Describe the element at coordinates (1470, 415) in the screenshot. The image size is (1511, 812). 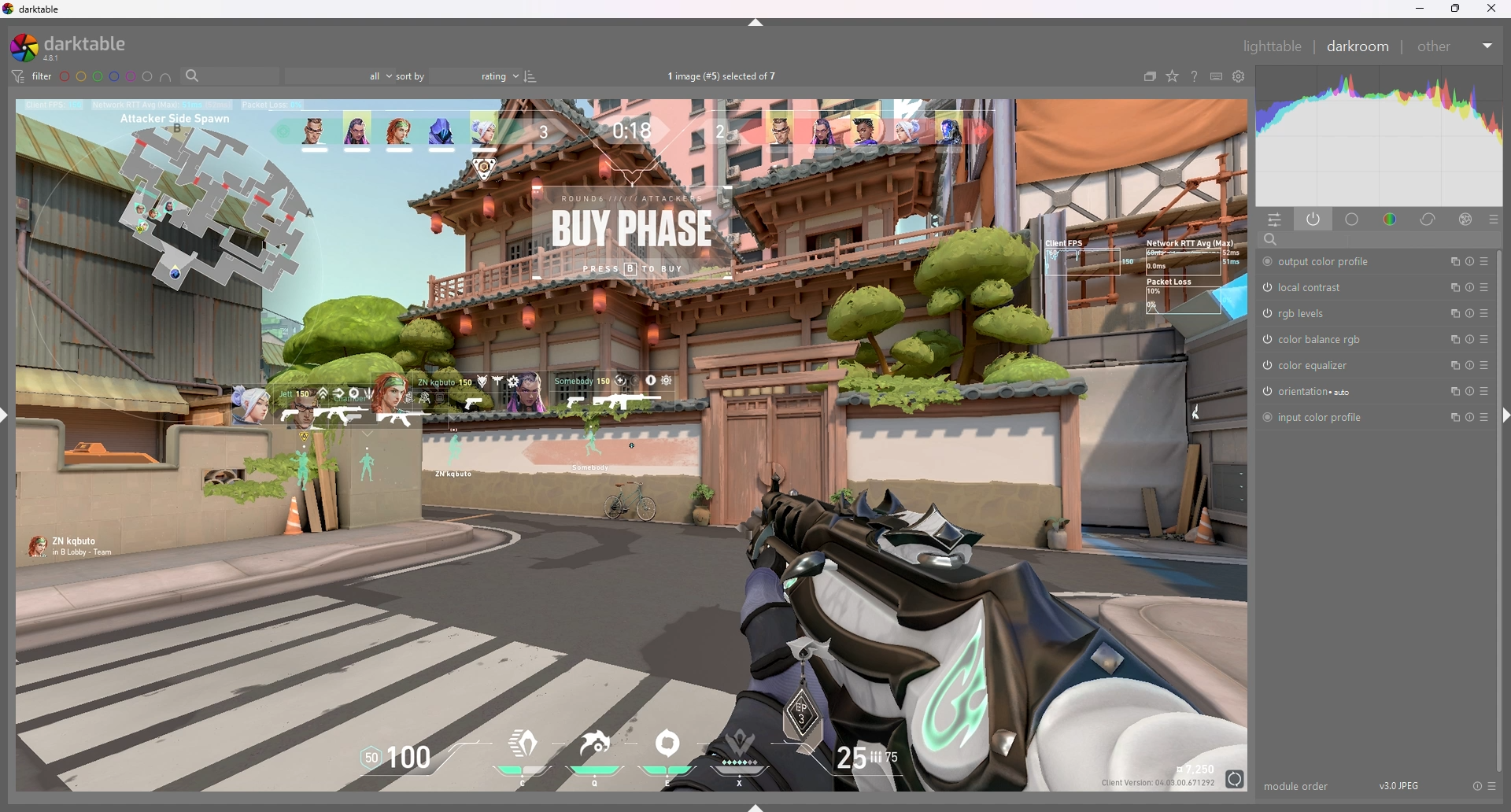
I see `reset` at that location.